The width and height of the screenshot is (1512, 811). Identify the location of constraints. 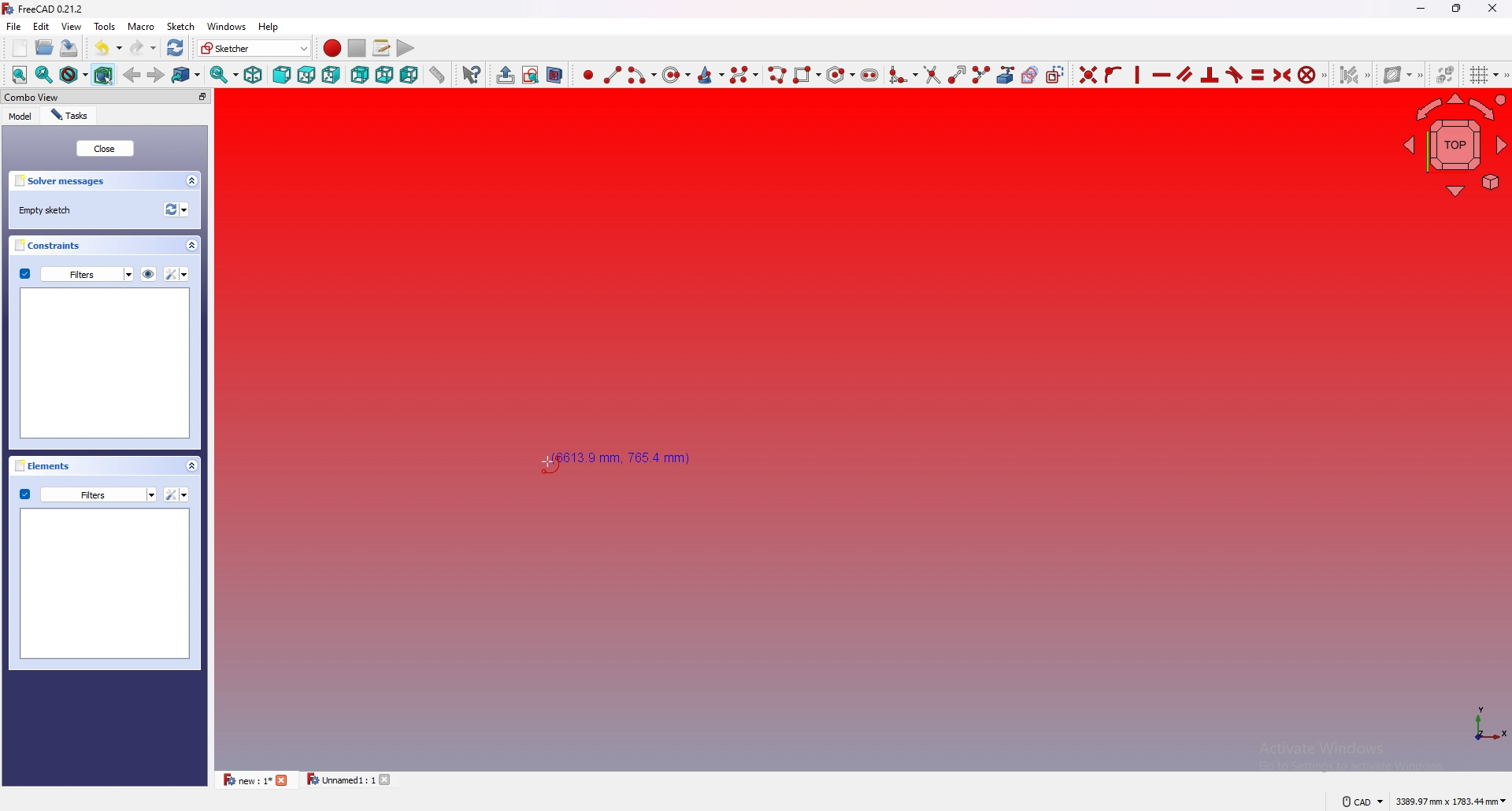
(54, 245).